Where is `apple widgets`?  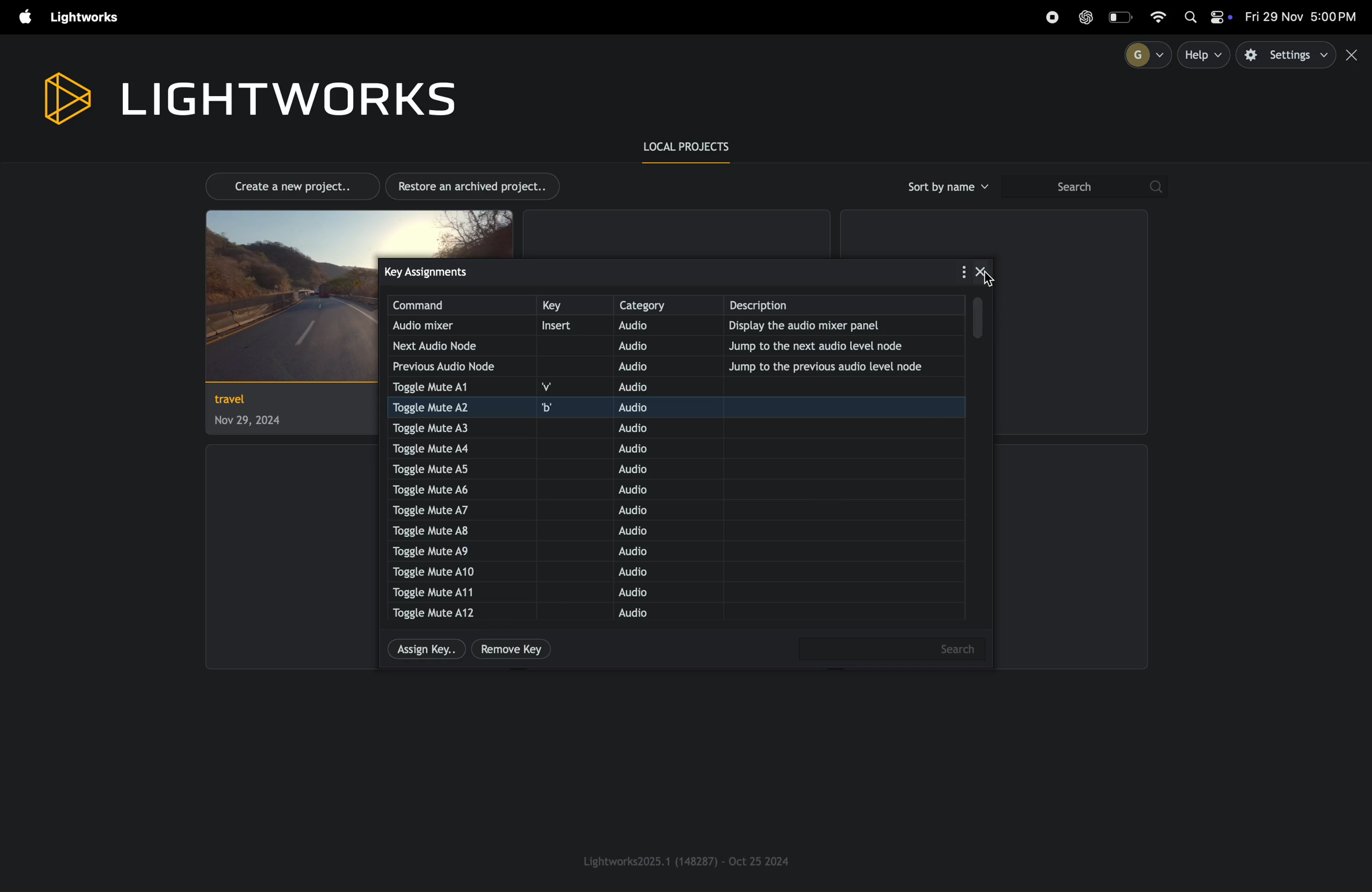
apple widgets is located at coordinates (1207, 18).